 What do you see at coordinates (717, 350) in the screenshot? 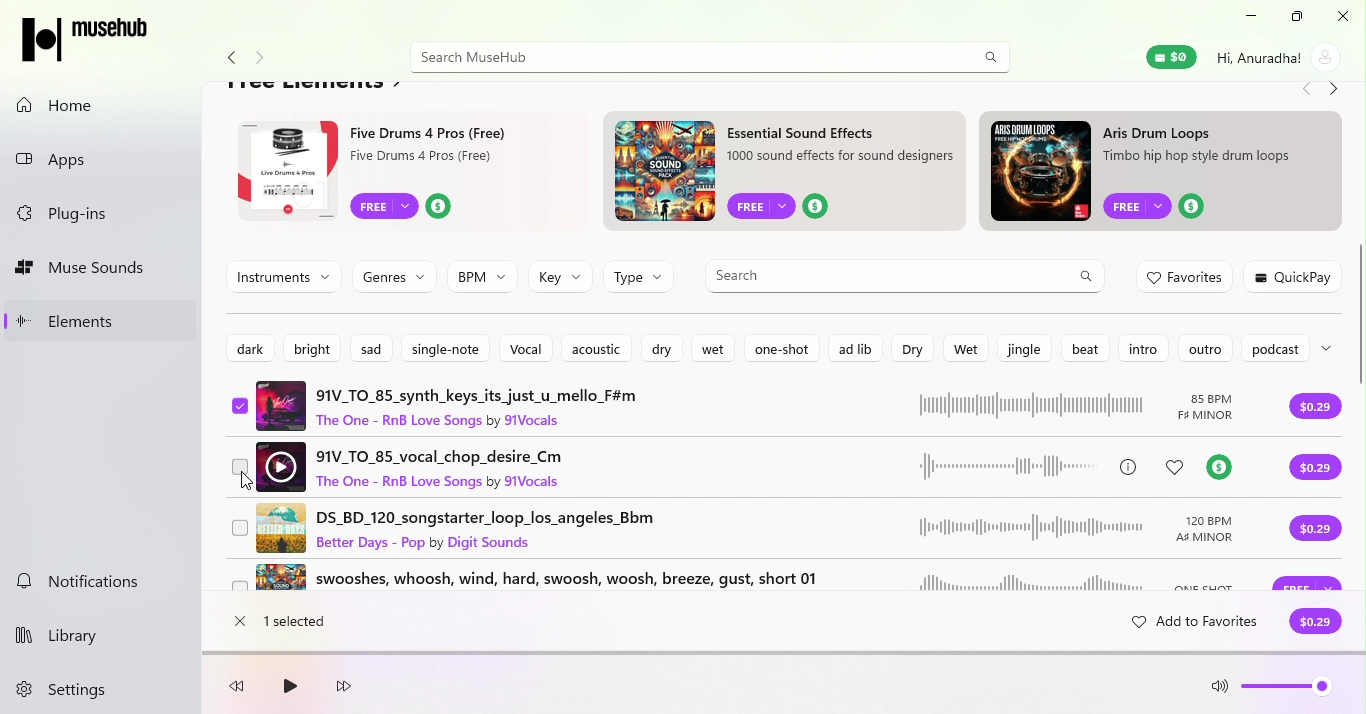
I see `Wet` at bounding box center [717, 350].